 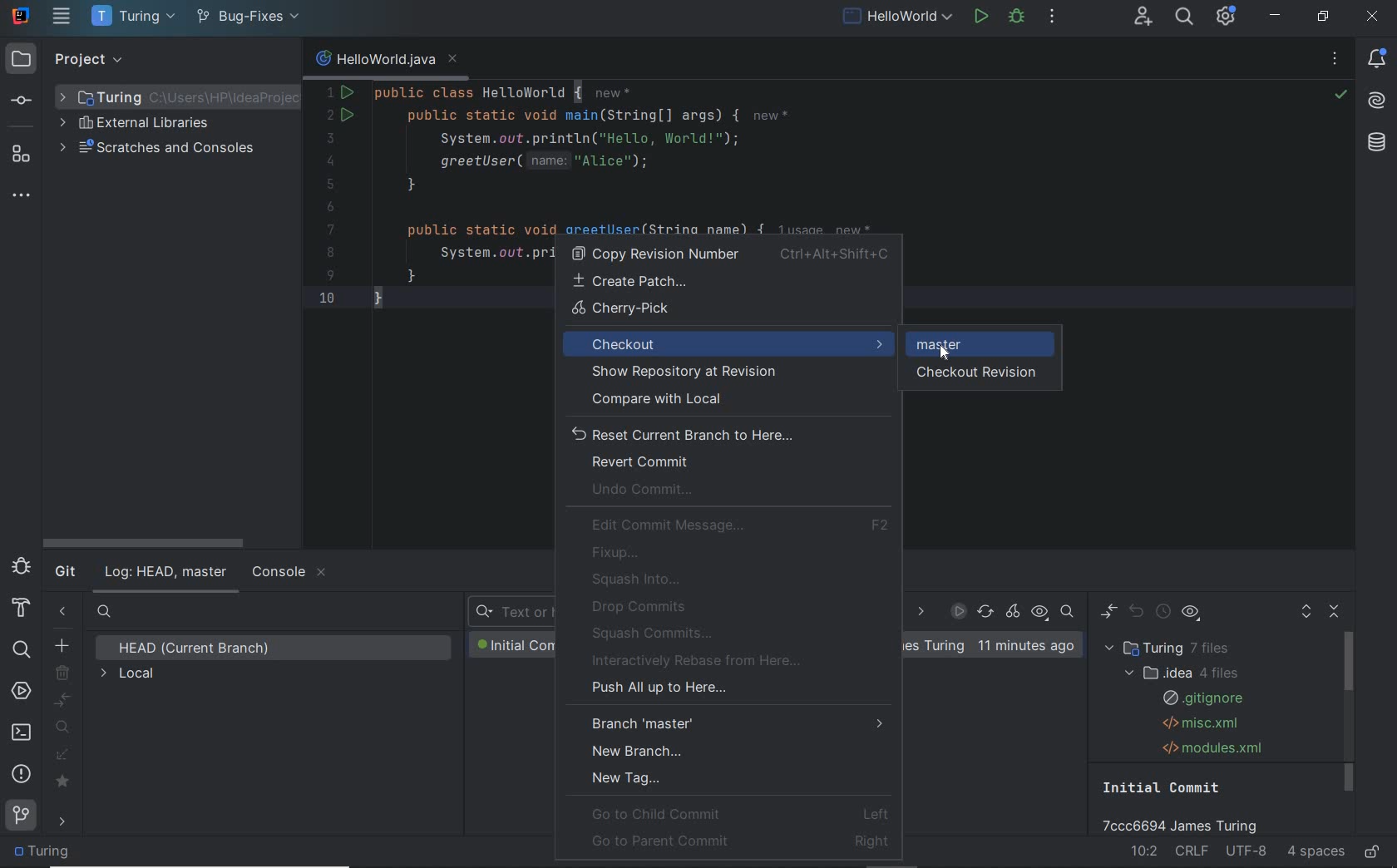 I want to click on edit commit message, so click(x=741, y=525).